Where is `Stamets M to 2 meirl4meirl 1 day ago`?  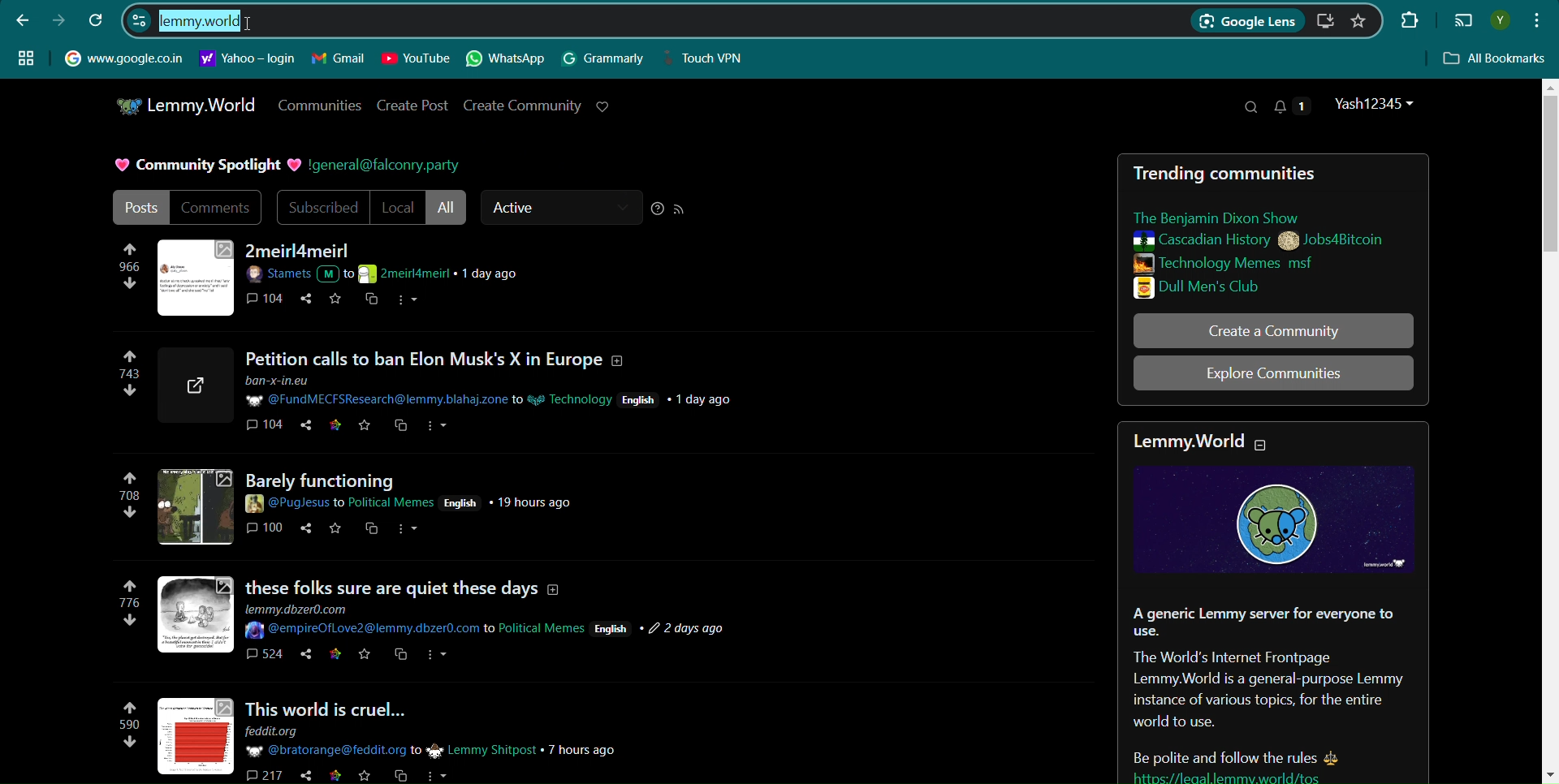 Stamets M to 2 meirl4meirl 1 day ago is located at coordinates (391, 274).